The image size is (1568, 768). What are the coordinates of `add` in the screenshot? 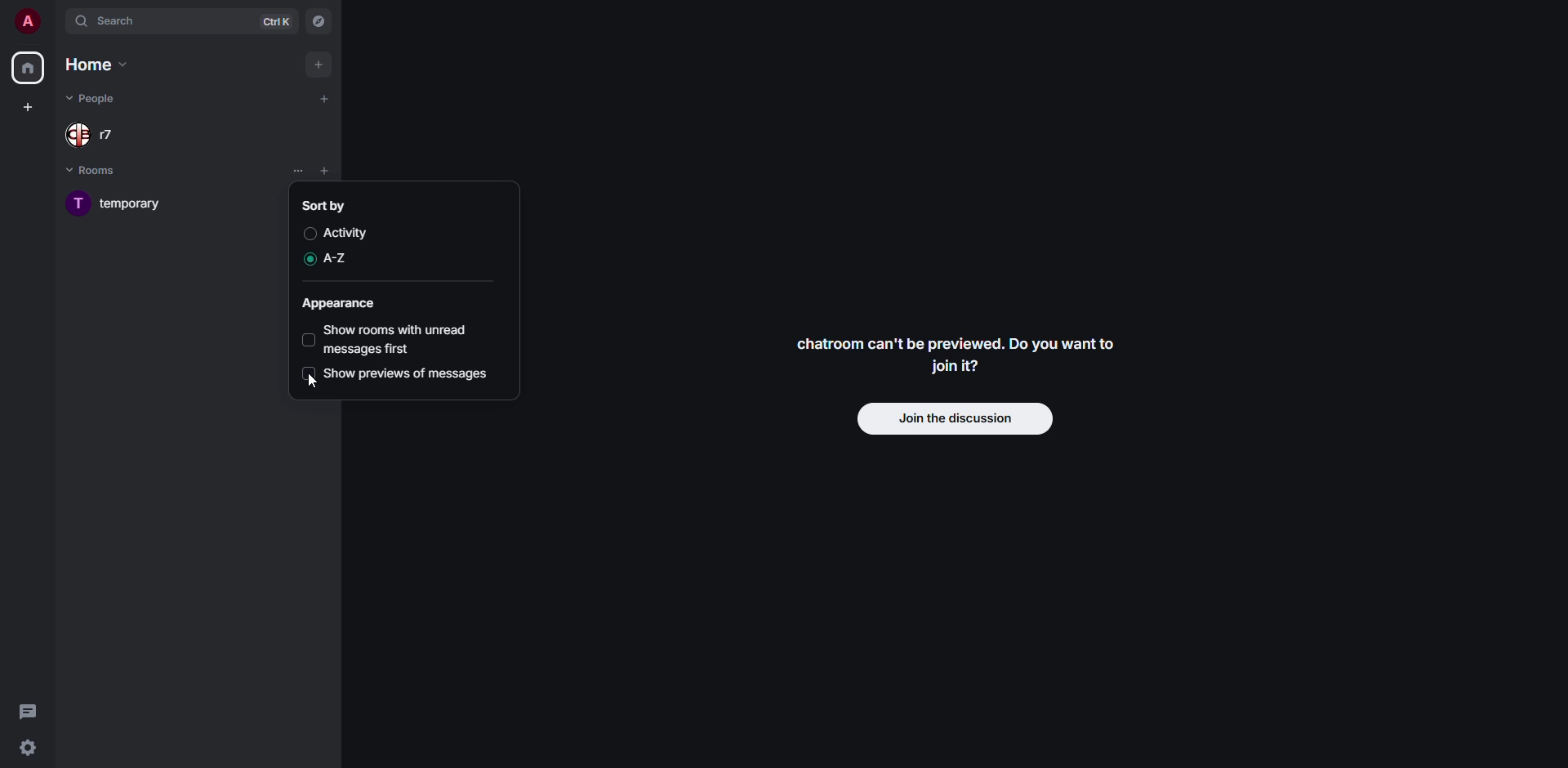 It's located at (323, 100).